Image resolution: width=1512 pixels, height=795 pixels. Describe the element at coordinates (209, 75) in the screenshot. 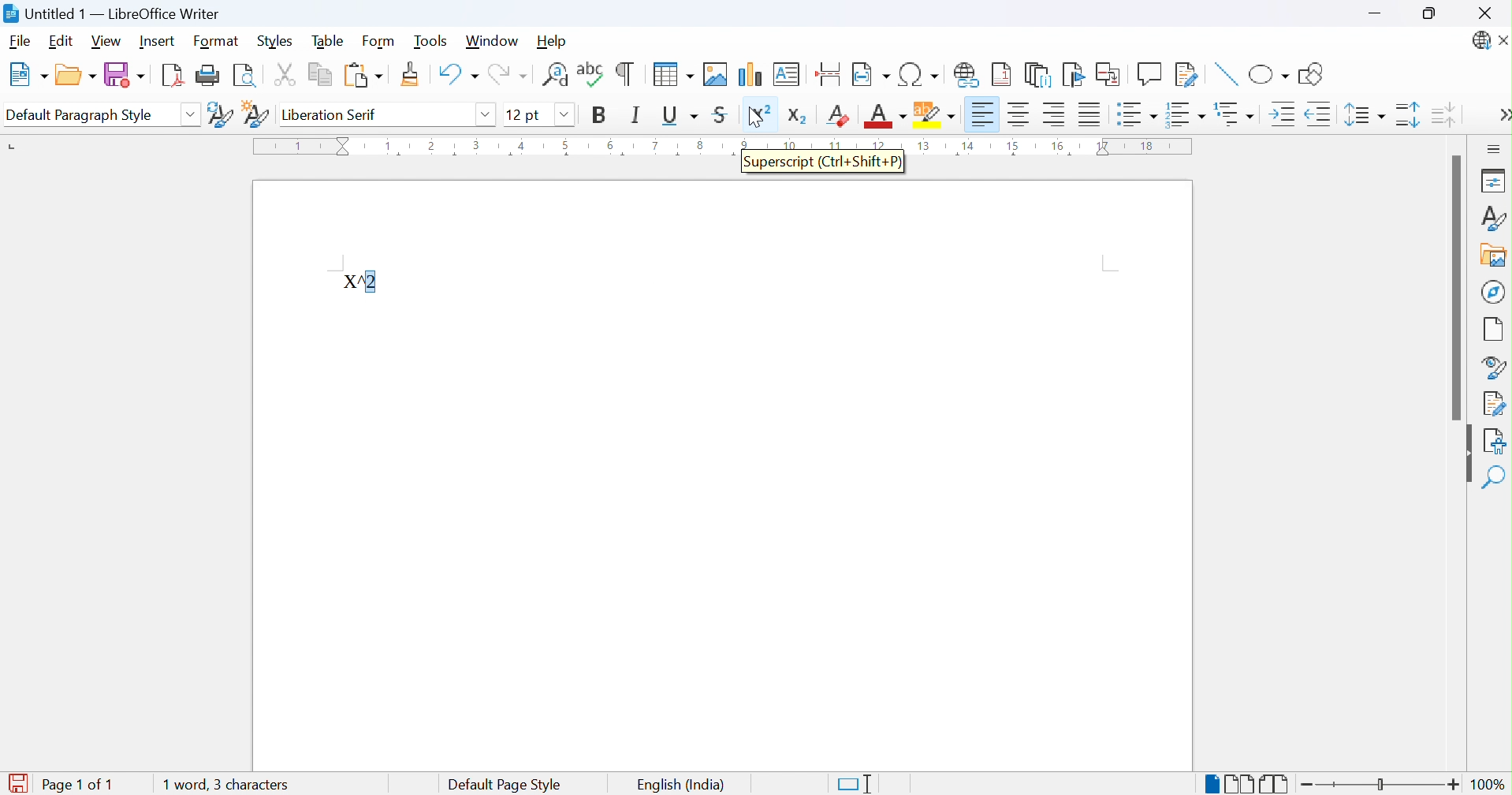

I see `Print` at that location.